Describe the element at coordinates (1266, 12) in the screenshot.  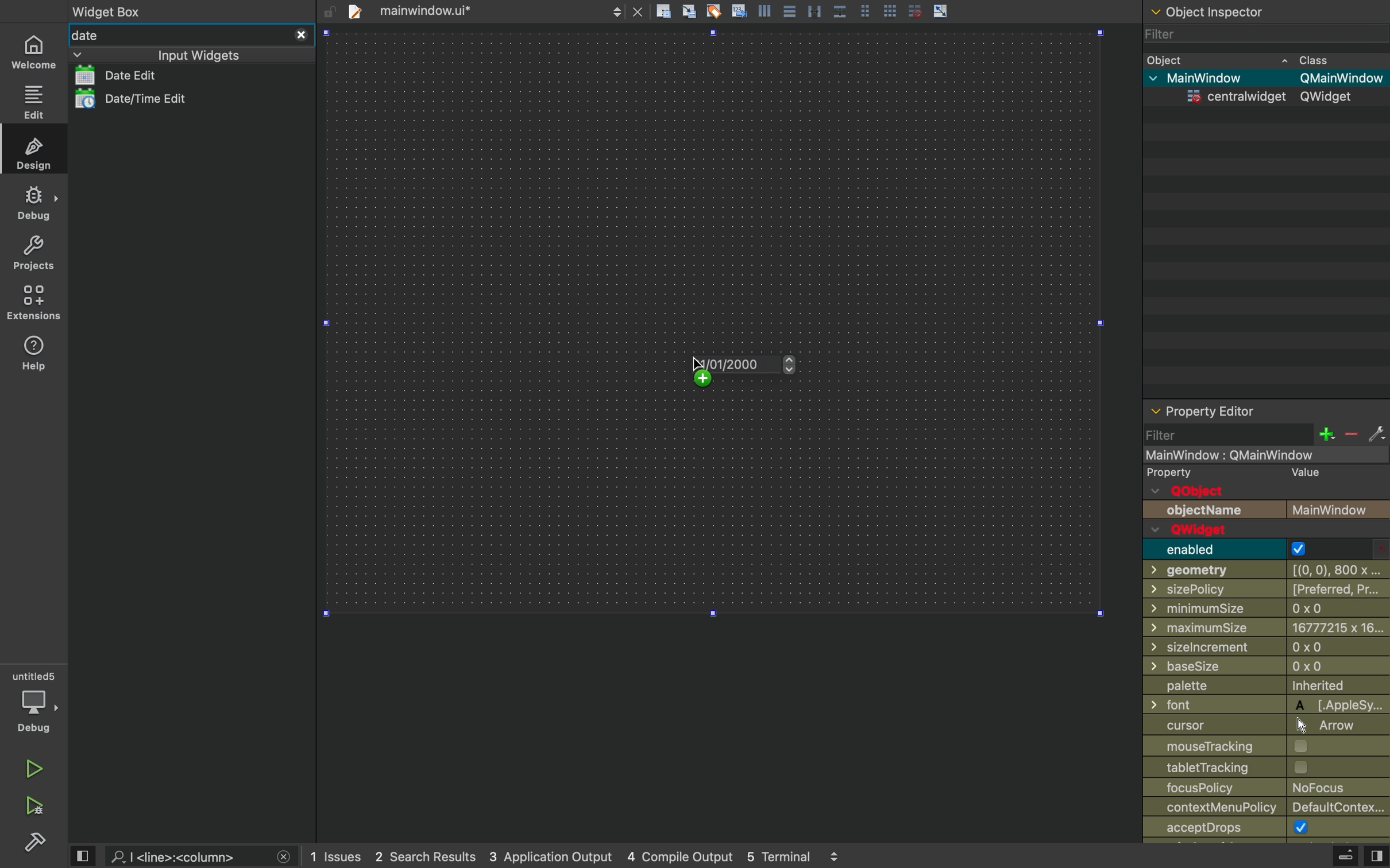
I see `object inspector` at that location.